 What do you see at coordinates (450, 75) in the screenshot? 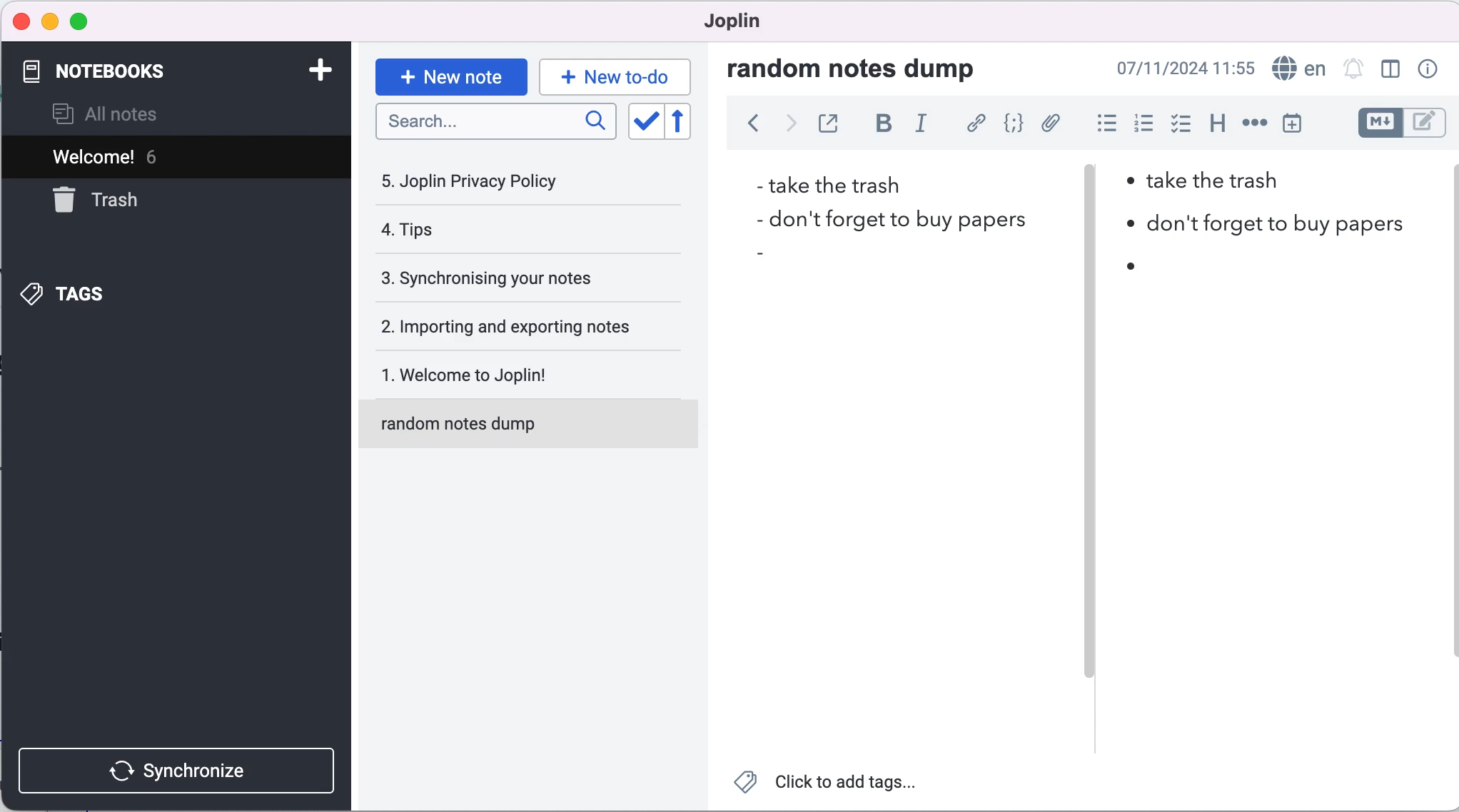
I see `new note` at bounding box center [450, 75].